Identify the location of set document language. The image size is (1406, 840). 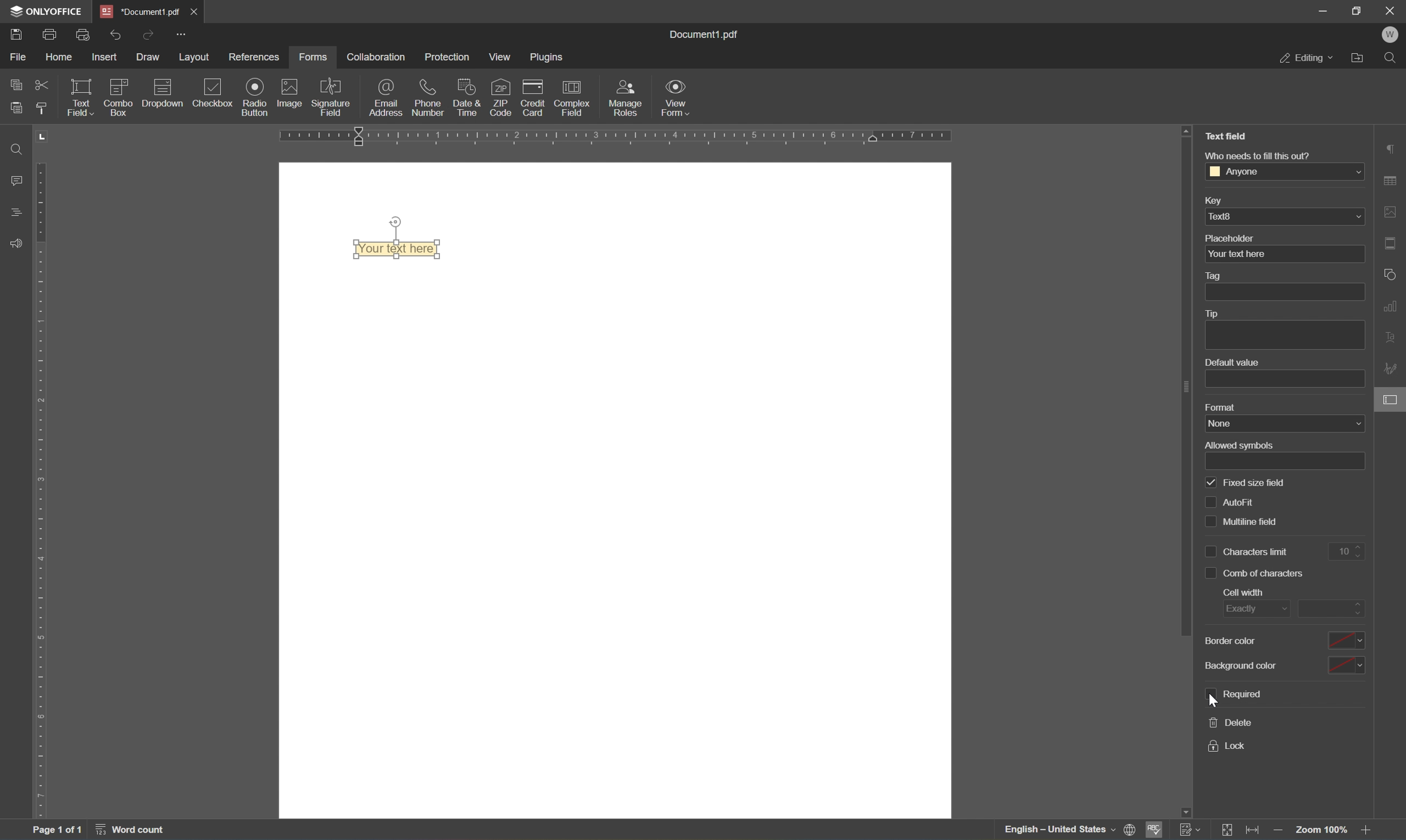
(1130, 830).